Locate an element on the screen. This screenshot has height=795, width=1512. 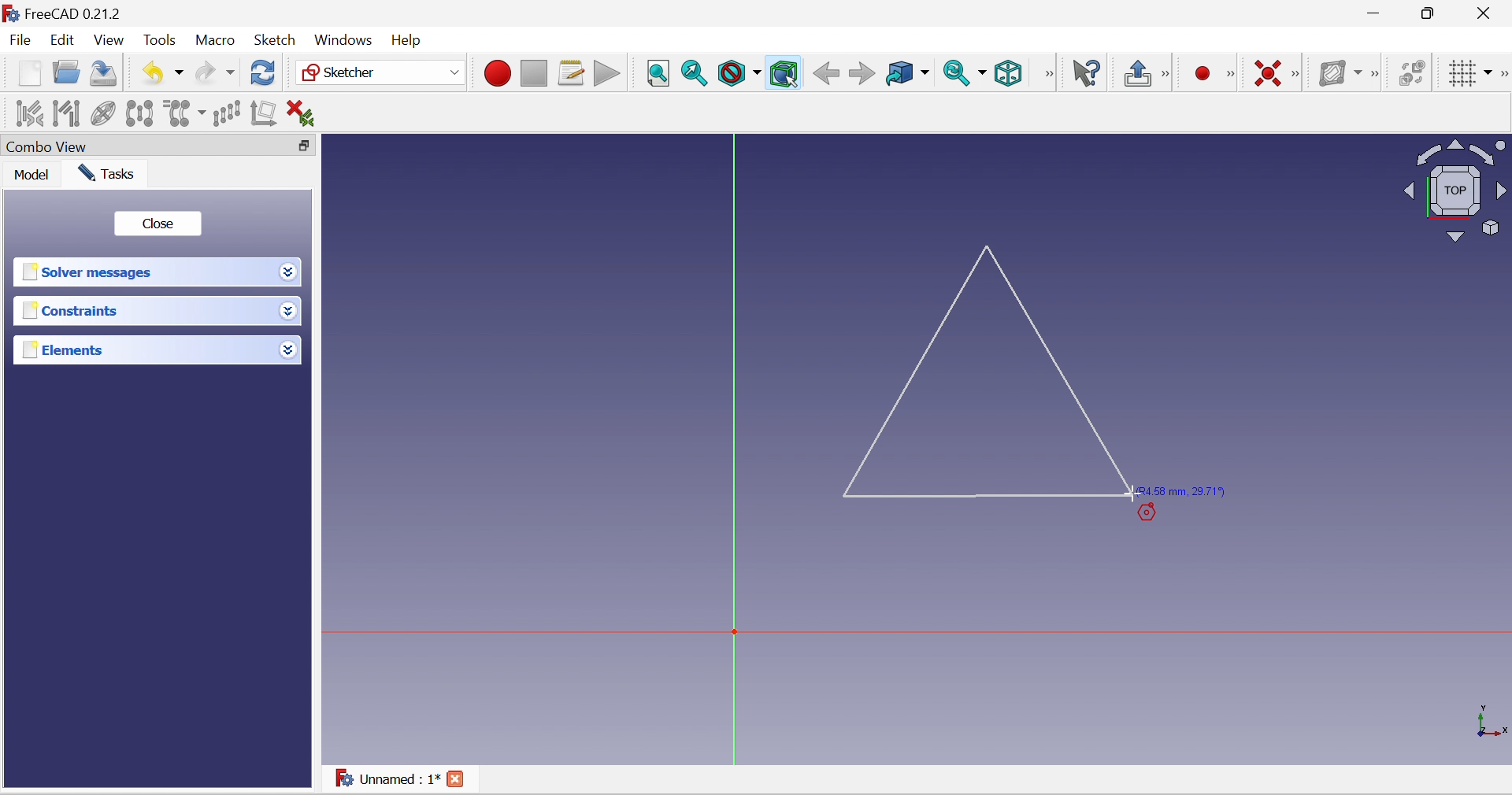
 is located at coordinates (410, 41).